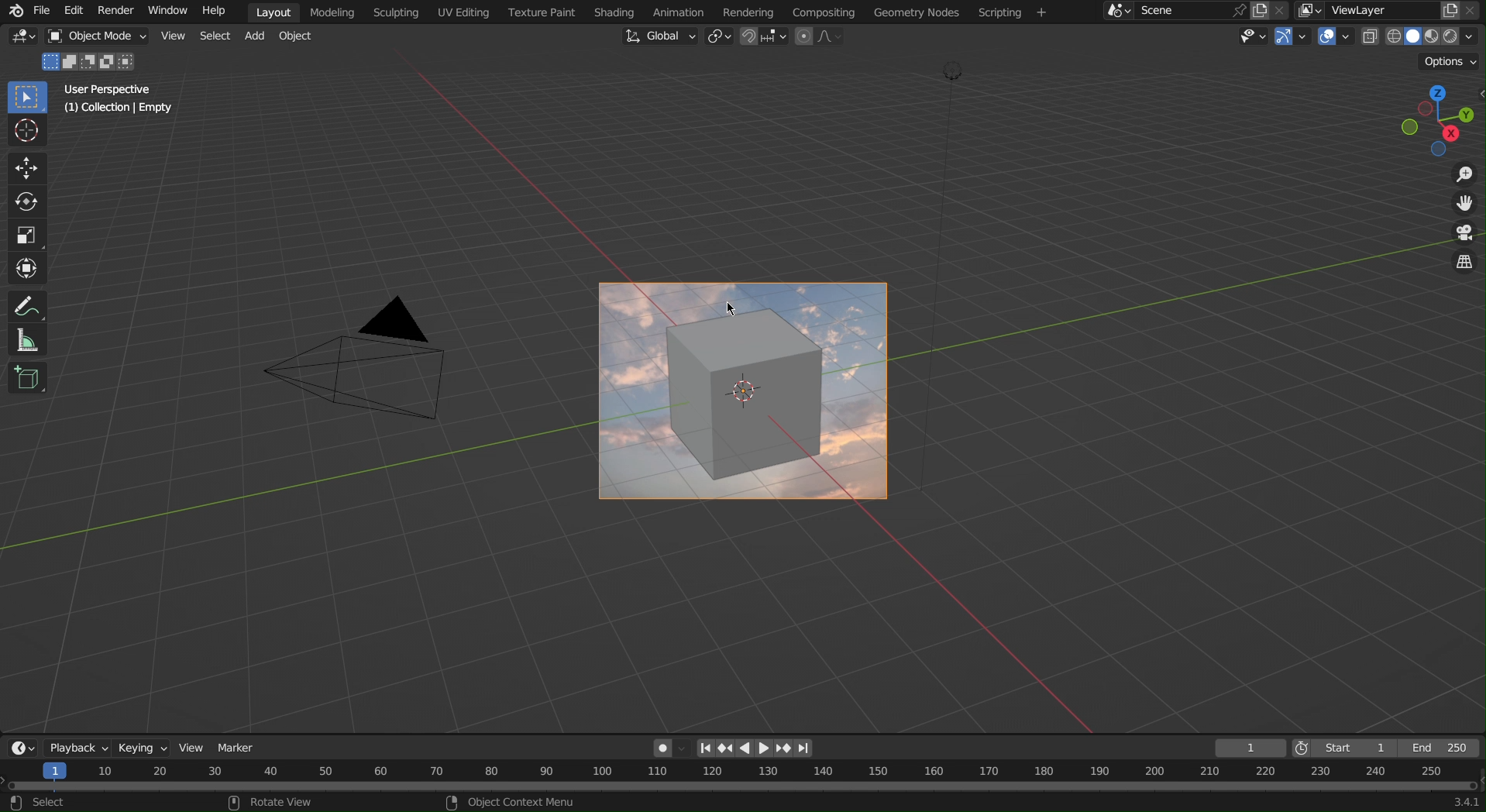 Image resolution: width=1486 pixels, height=812 pixels. What do you see at coordinates (915, 13) in the screenshot?
I see `Geometry Nodes` at bounding box center [915, 13].